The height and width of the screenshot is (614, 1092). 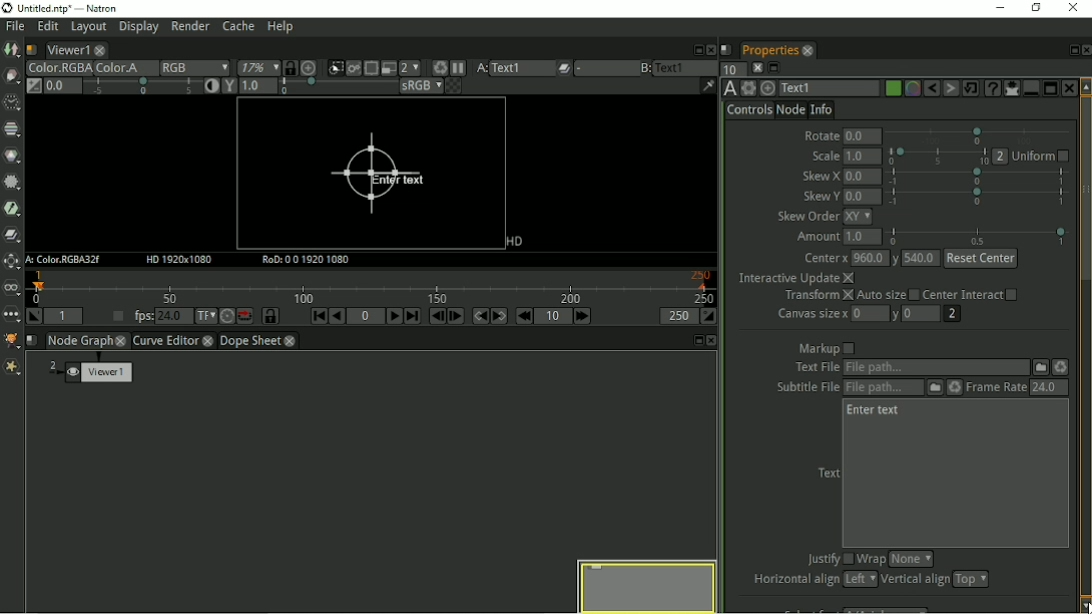 What do you see at coordinates (827, 349) in the screenshot?
I see `Markup` at bounding box center [827, 349].